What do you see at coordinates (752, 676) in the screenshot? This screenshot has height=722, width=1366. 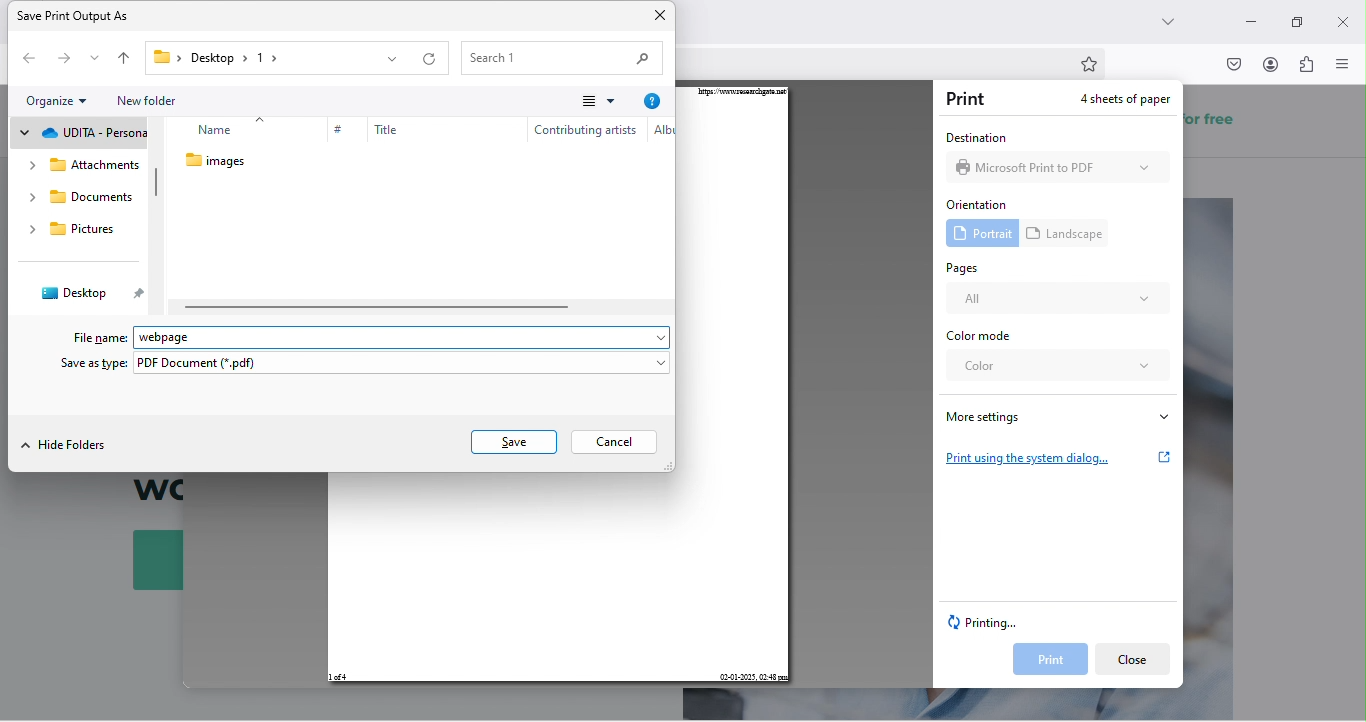 I see `02-01-2025, 02:48 pm` at bounding box center [752, 676].